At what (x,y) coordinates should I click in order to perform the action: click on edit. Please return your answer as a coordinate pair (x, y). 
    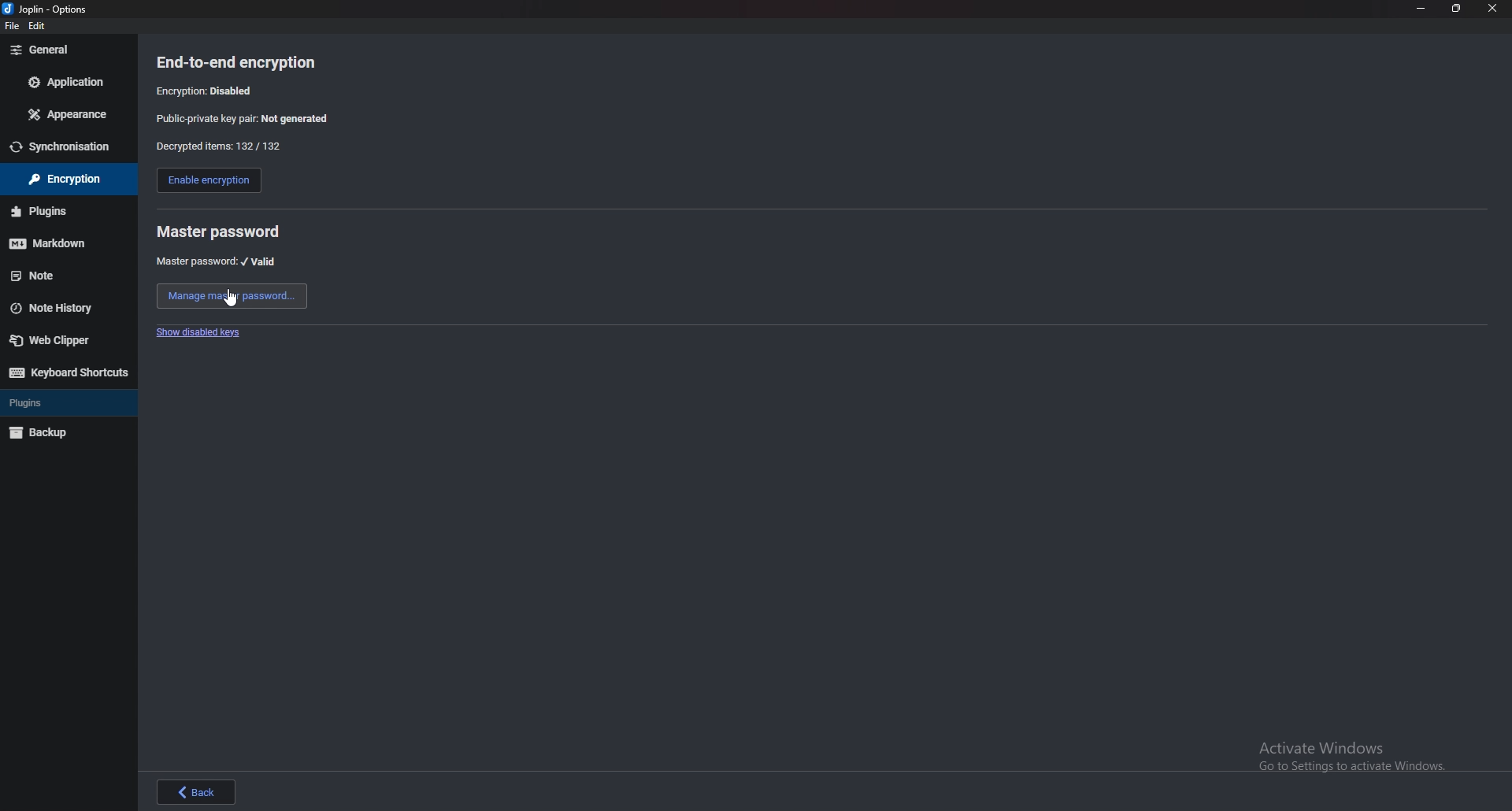
    Looking at the image, I should click on (40, 25).